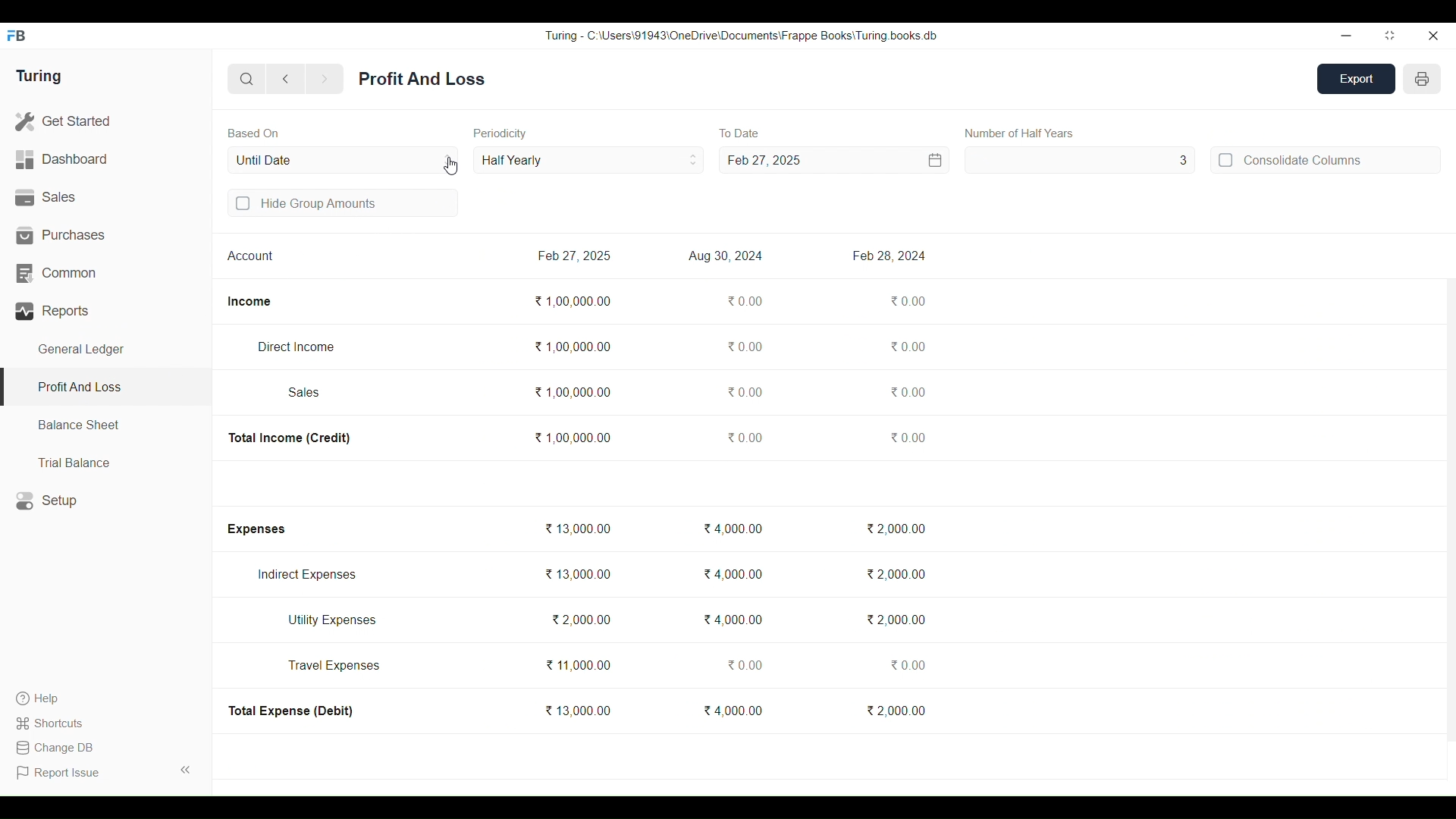 Image resolution: width=1456 pixels, height=819 pixels. What do you see at coordinates (908, 391) in the screenshot?
I see `0.00` at bounding box center [908, 391].